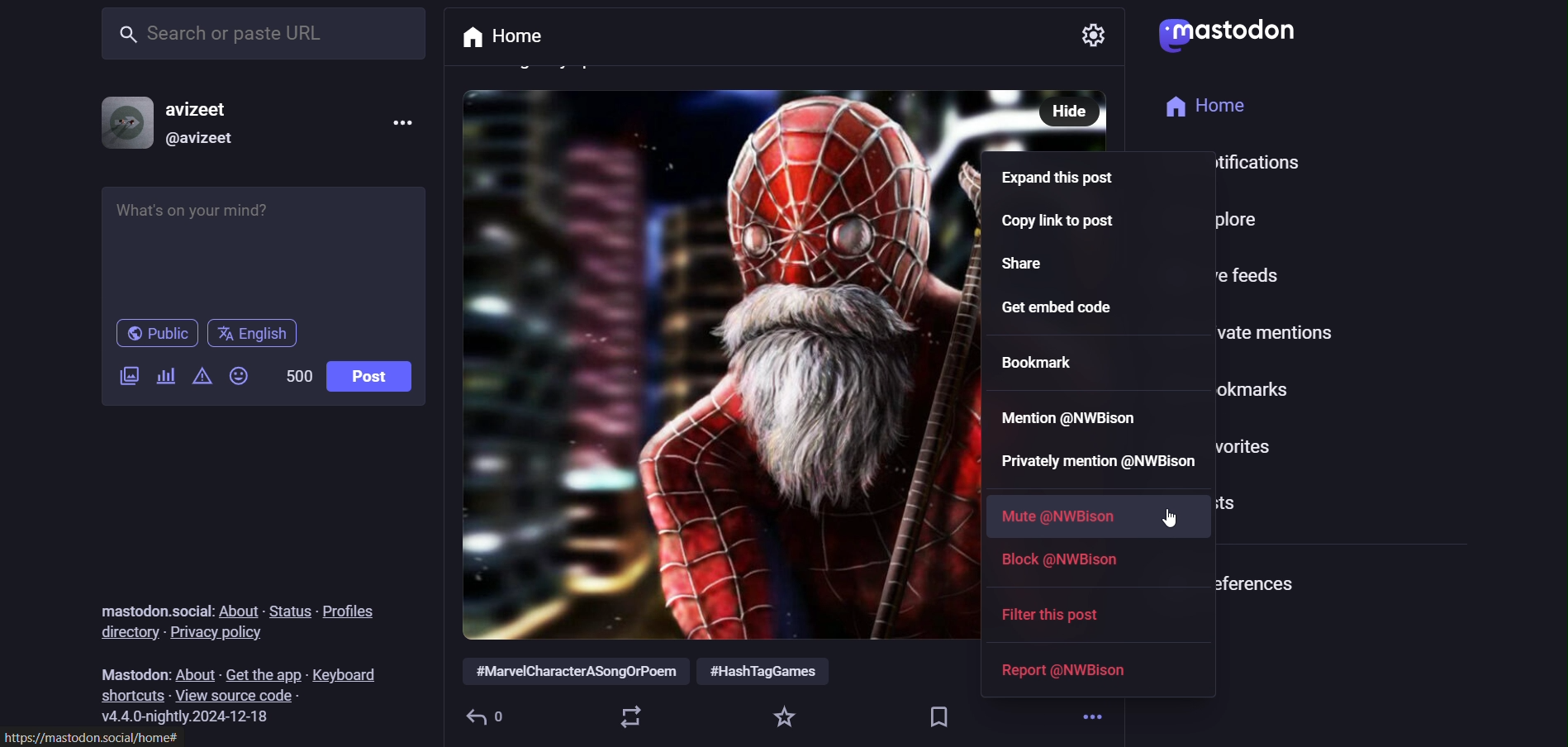 The image size is (1568, 747). I want to click on text, so click(128, 673).